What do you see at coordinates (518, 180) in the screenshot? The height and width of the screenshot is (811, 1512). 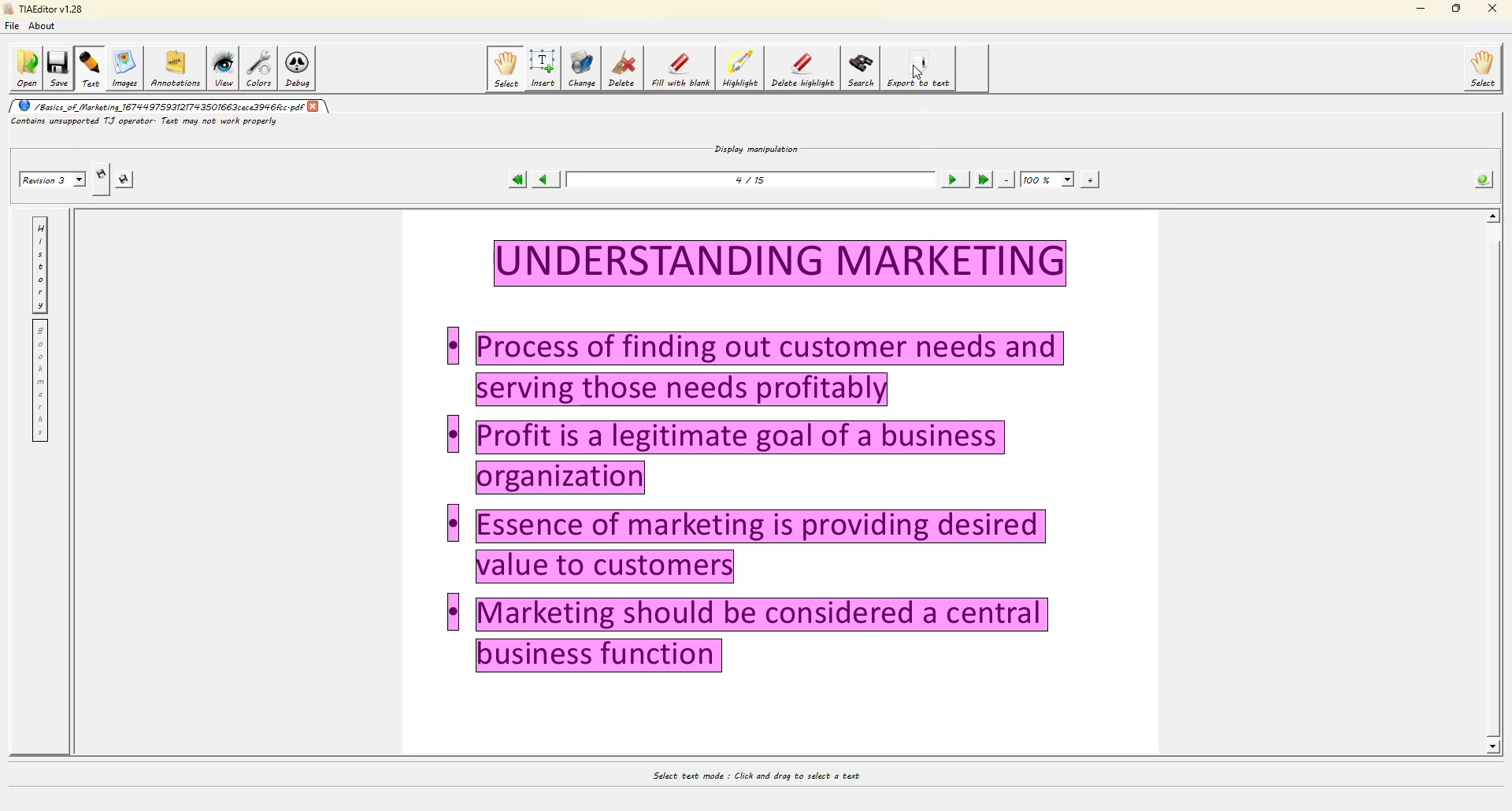 I see `first page` at bounding box center [518, 180].